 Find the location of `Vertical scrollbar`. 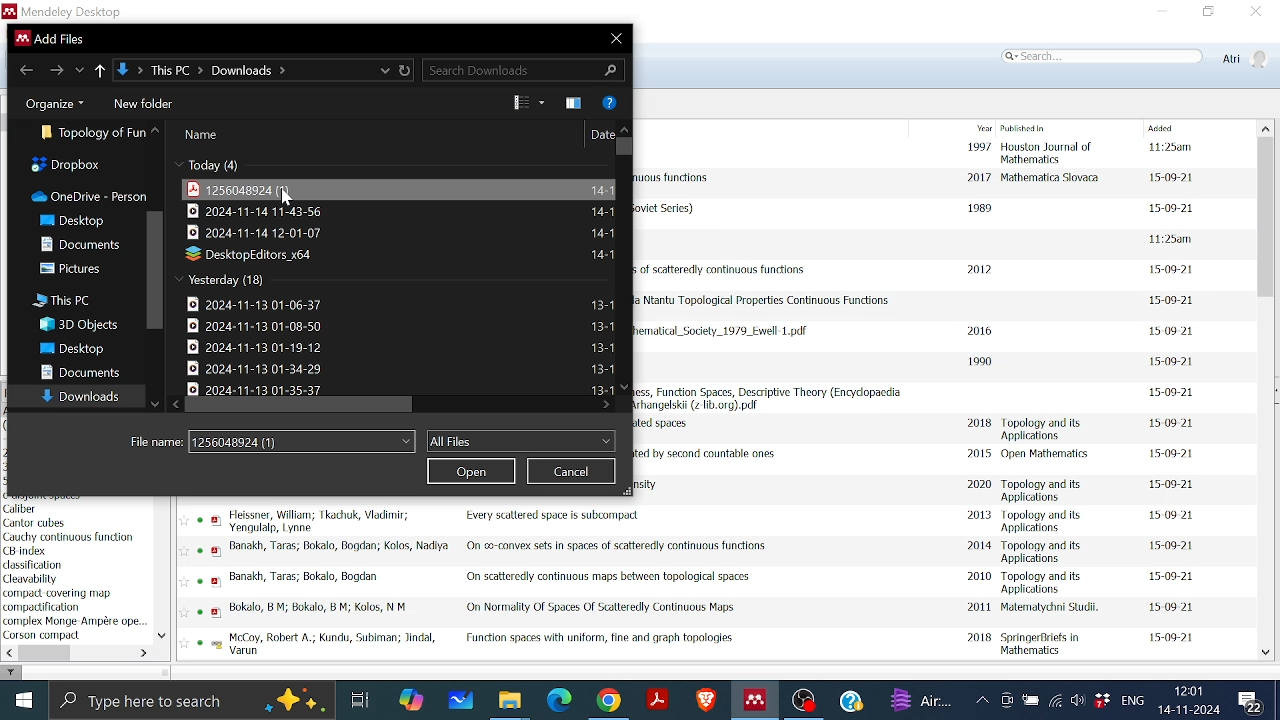

Vertical scrollbar is located at coordinates (1266, 218).